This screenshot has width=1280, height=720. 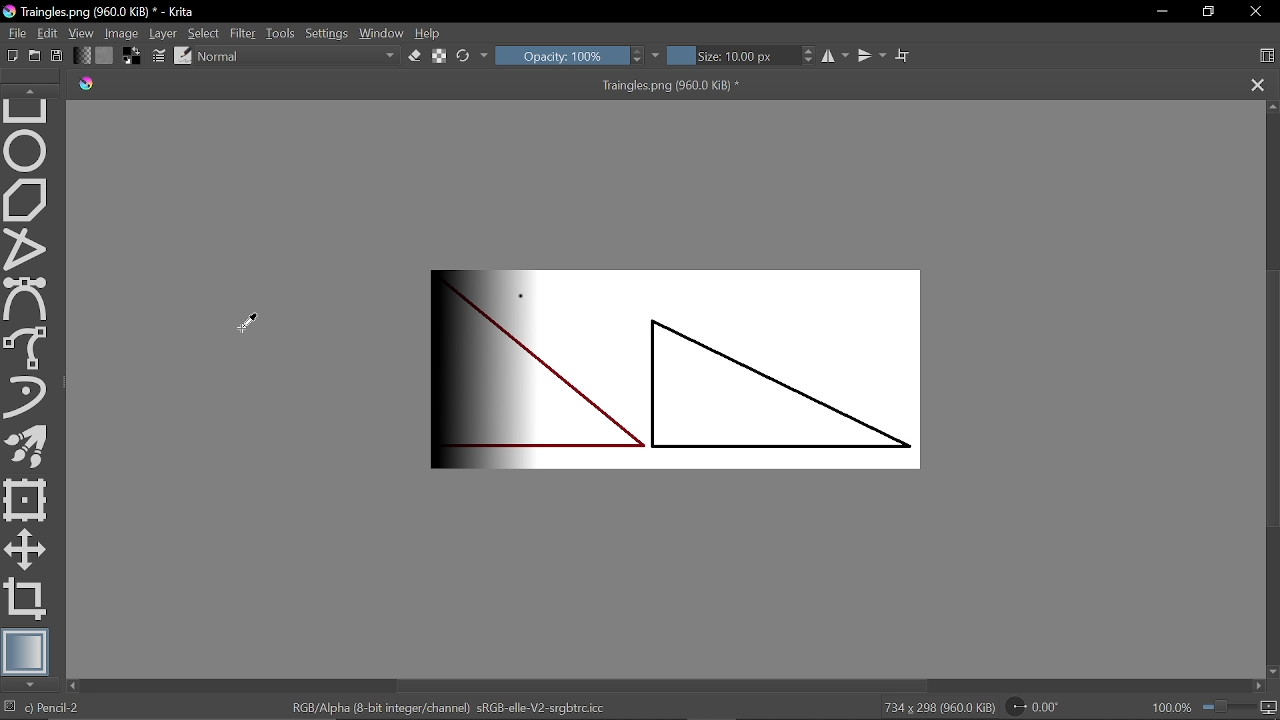 I want to click on No selection , so click(x=8, y=708).